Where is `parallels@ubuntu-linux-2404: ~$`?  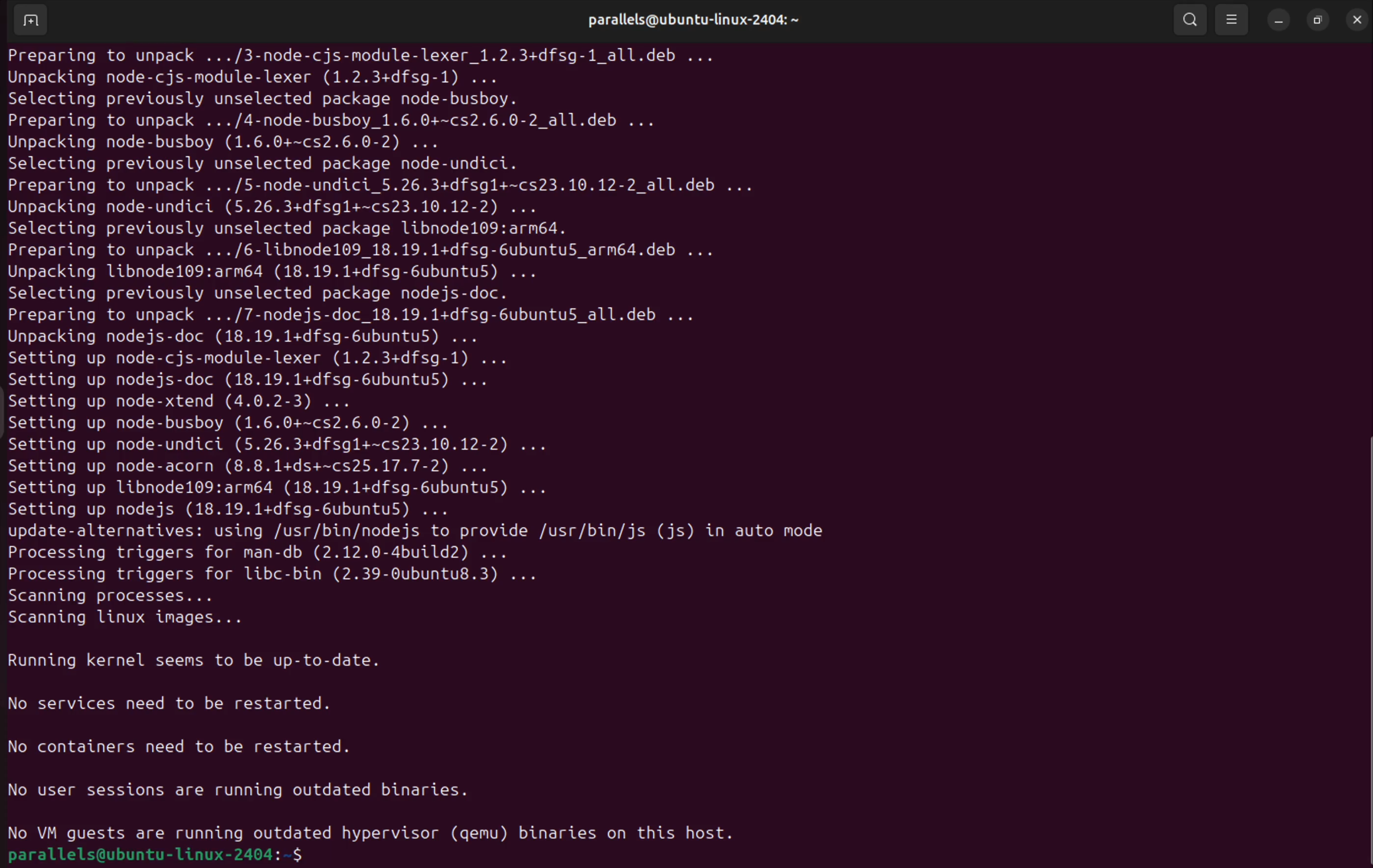
parallels@ubuntu-linux-2404: ~$ is located at coordinates (157, 857).